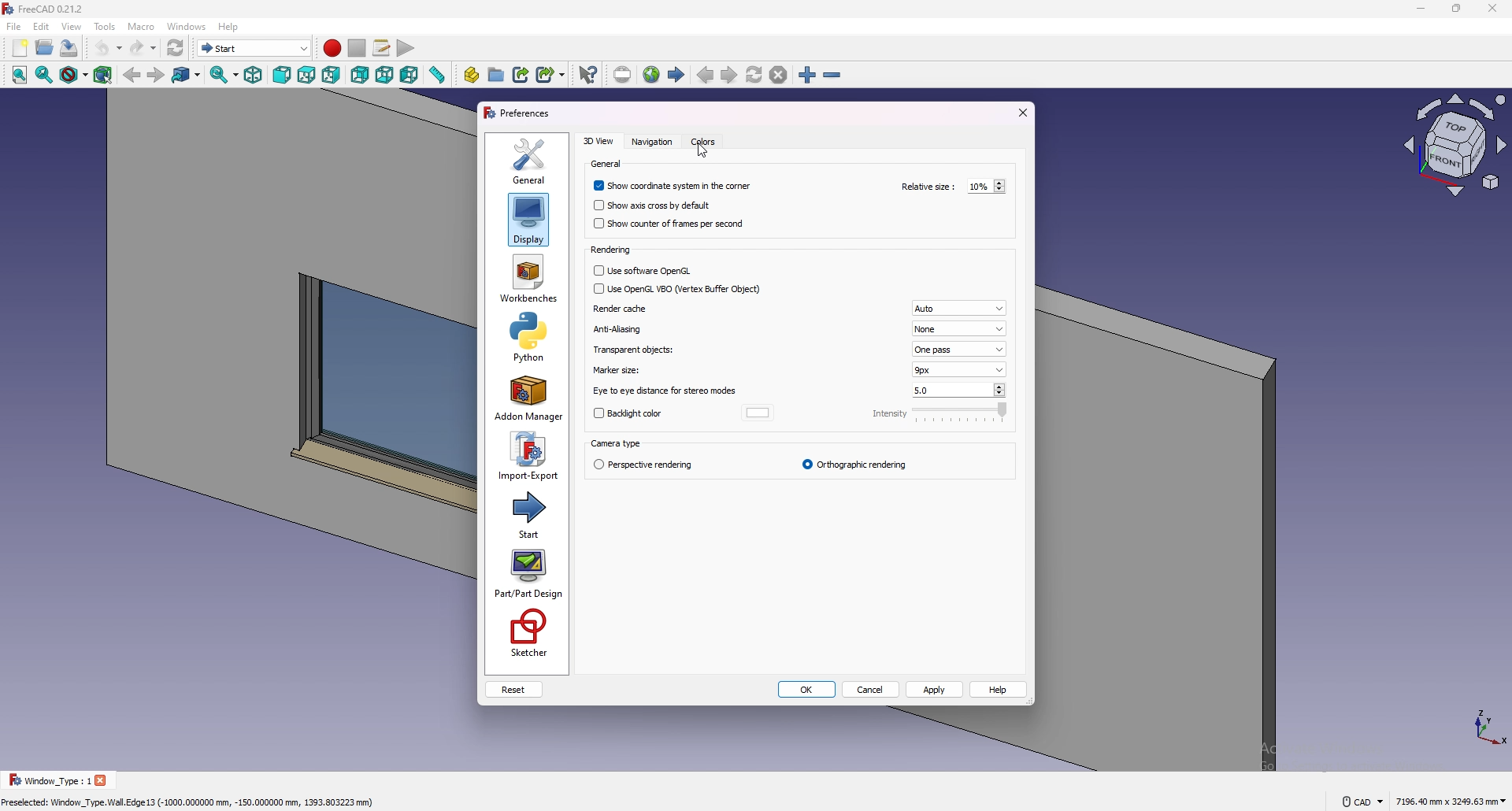 The width and height of the screenshot is (1512, 811). I want to click on undo, so click(108, 48).